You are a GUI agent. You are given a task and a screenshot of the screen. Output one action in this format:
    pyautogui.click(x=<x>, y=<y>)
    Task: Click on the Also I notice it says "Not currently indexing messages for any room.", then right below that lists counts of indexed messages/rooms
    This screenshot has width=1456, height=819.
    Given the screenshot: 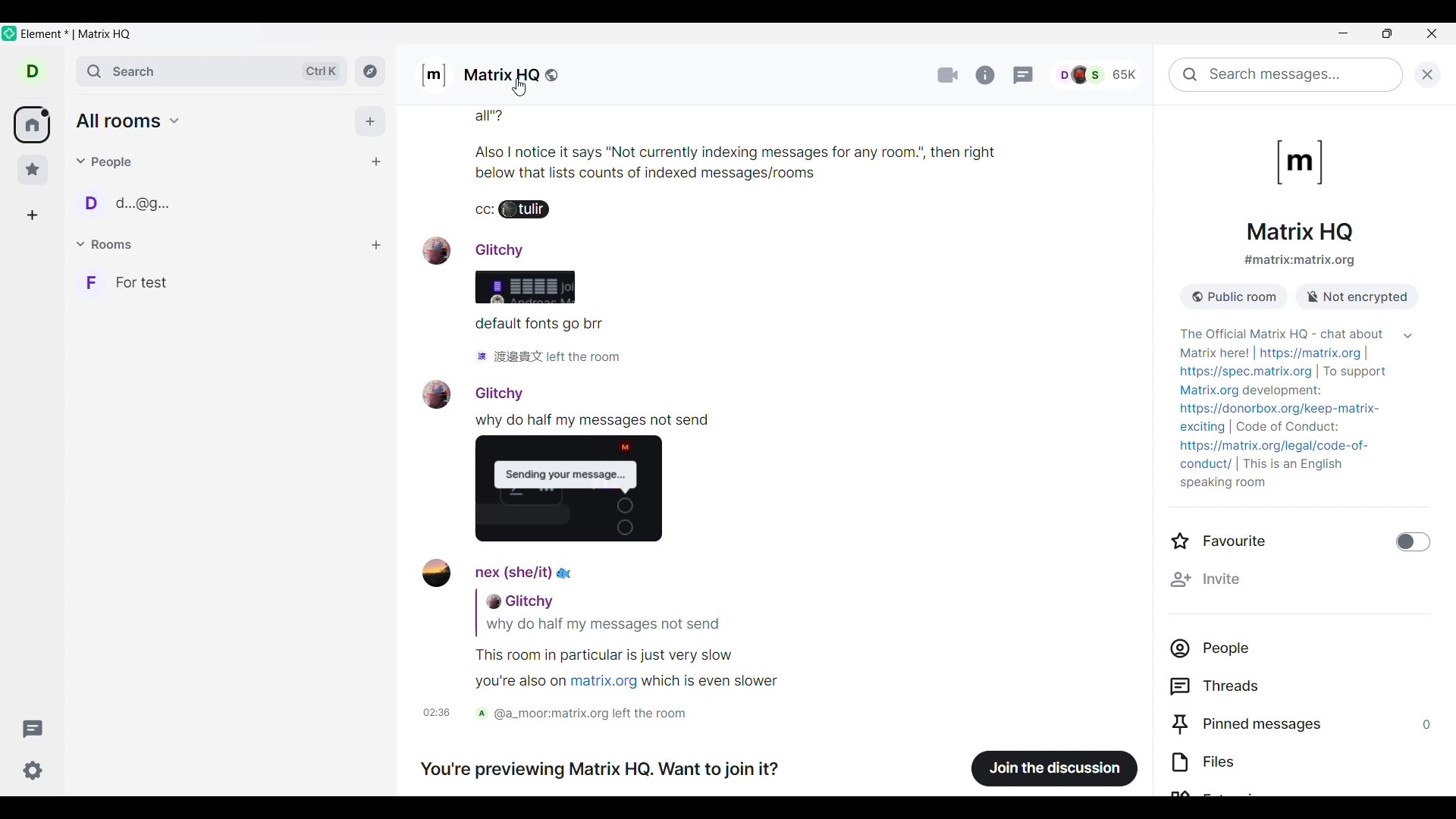 What is the action you would take?
    pyautogui.click(x=835, y=161)
    